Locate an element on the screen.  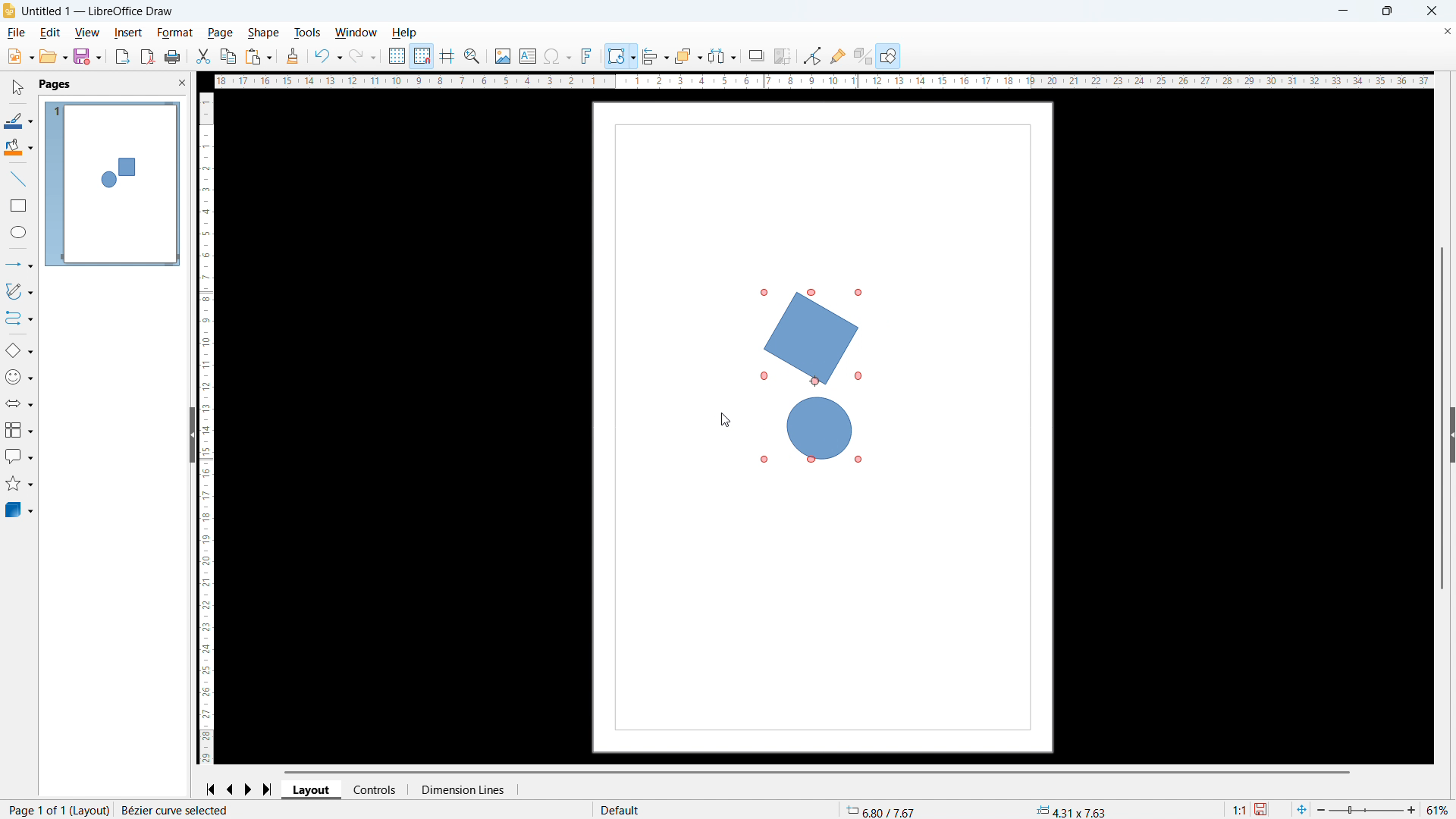
Lines and arrows  is located at coordinates (22, 265).